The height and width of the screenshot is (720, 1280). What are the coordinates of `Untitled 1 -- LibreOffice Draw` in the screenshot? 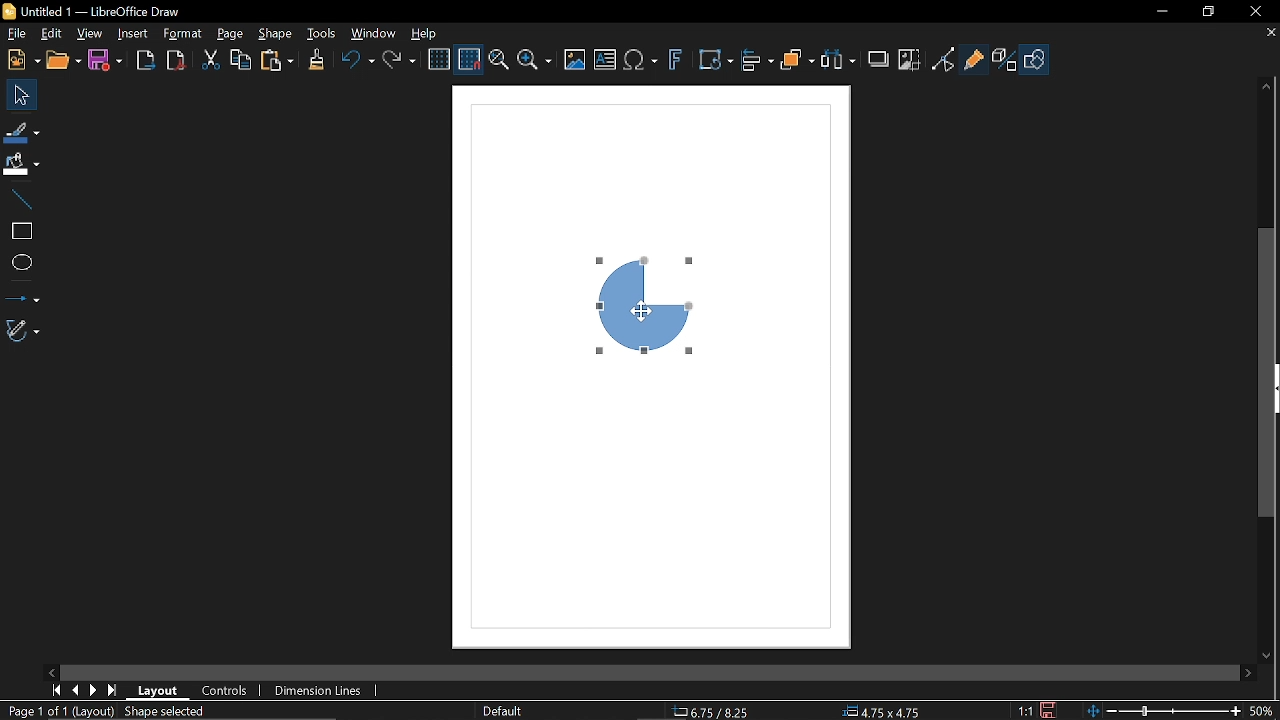 It's located at (112, 10).